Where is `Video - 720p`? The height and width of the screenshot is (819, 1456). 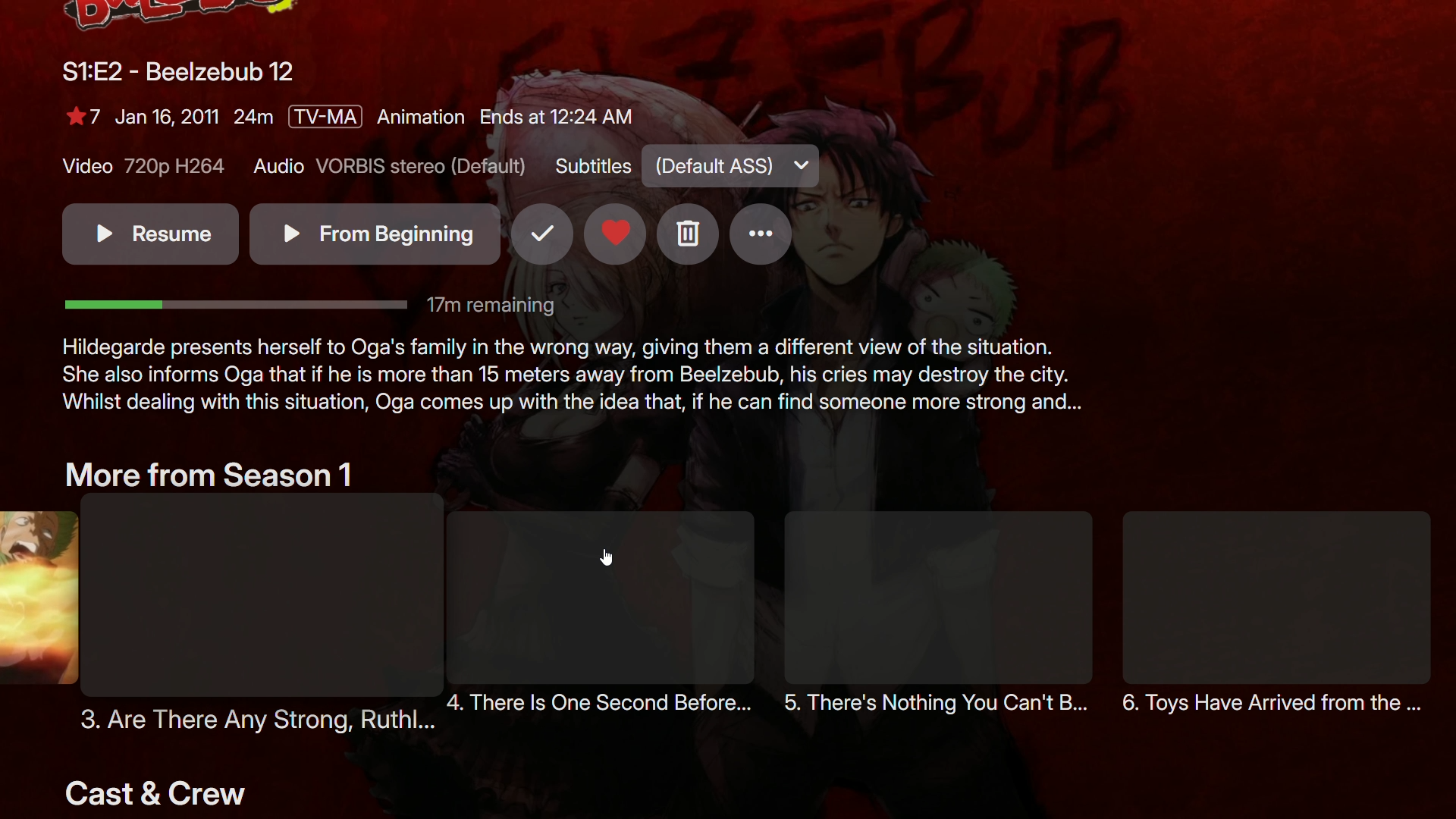 Video - 720p is located at coordinates (141, 167).